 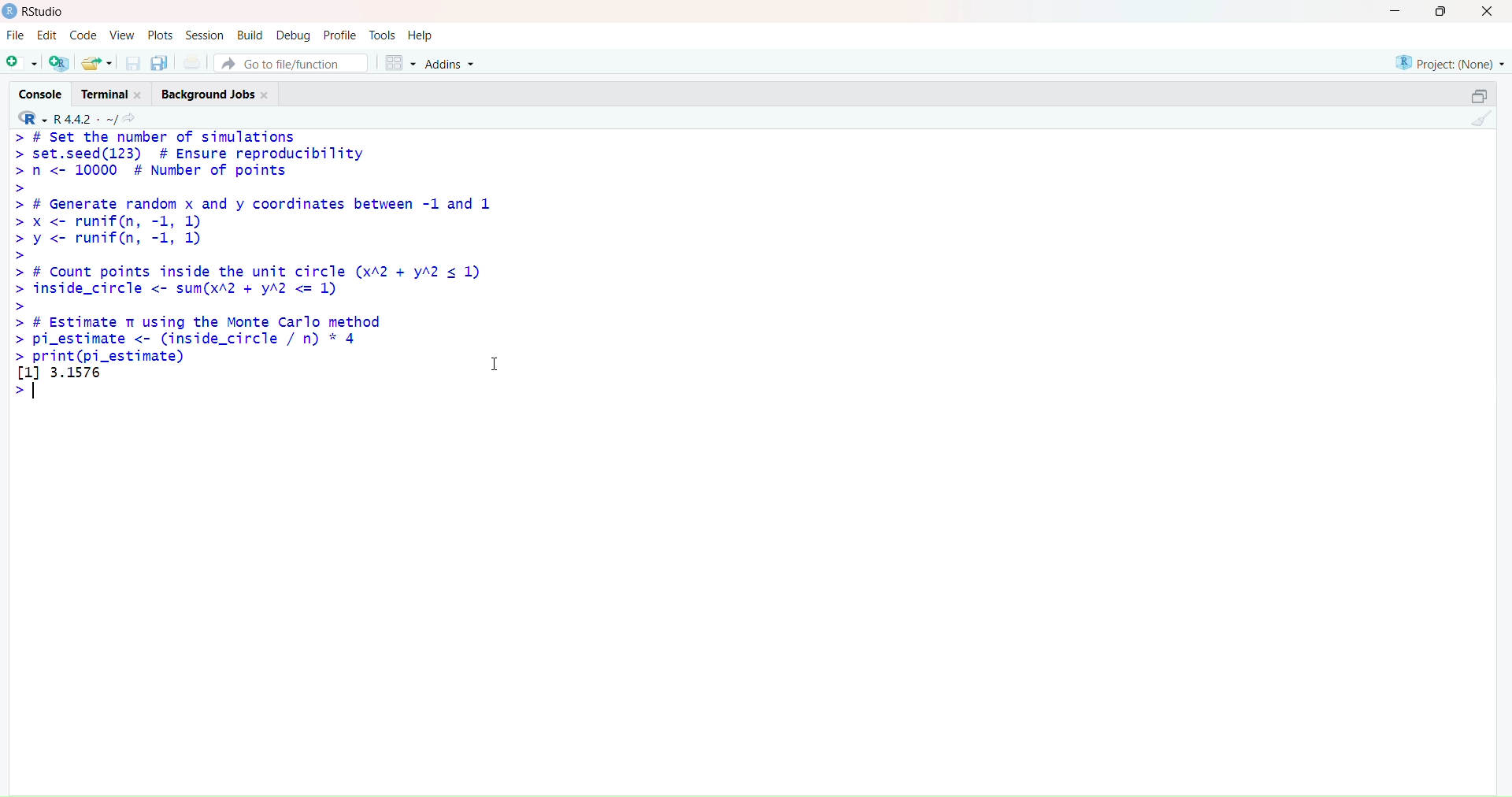 What do you see at coordinates (220, 94) in the screenshot?
I see `Background Jobs` at bounding box center [220, 94].